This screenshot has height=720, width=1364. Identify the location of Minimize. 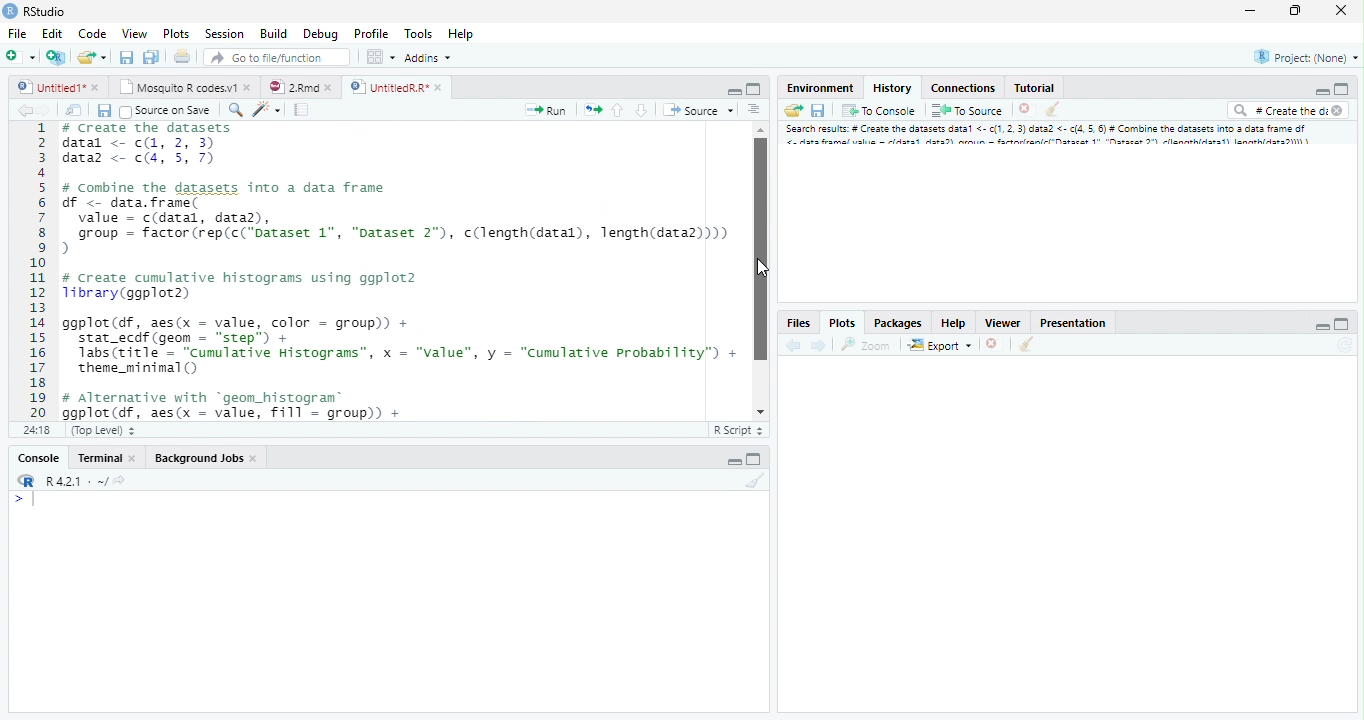
(733, 91).